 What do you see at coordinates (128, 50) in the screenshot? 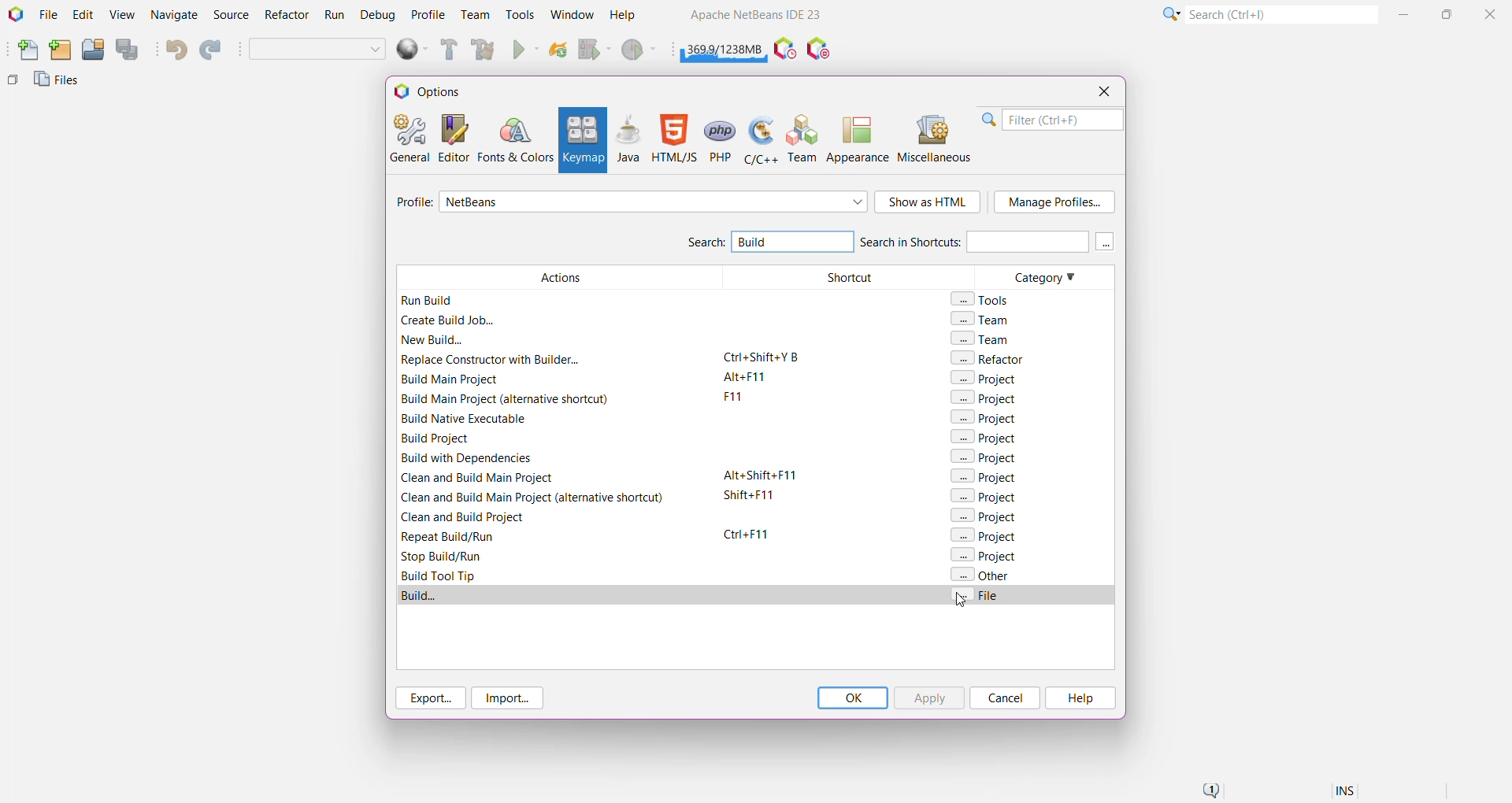
I see `Save All` at bounding box center [128, 50].